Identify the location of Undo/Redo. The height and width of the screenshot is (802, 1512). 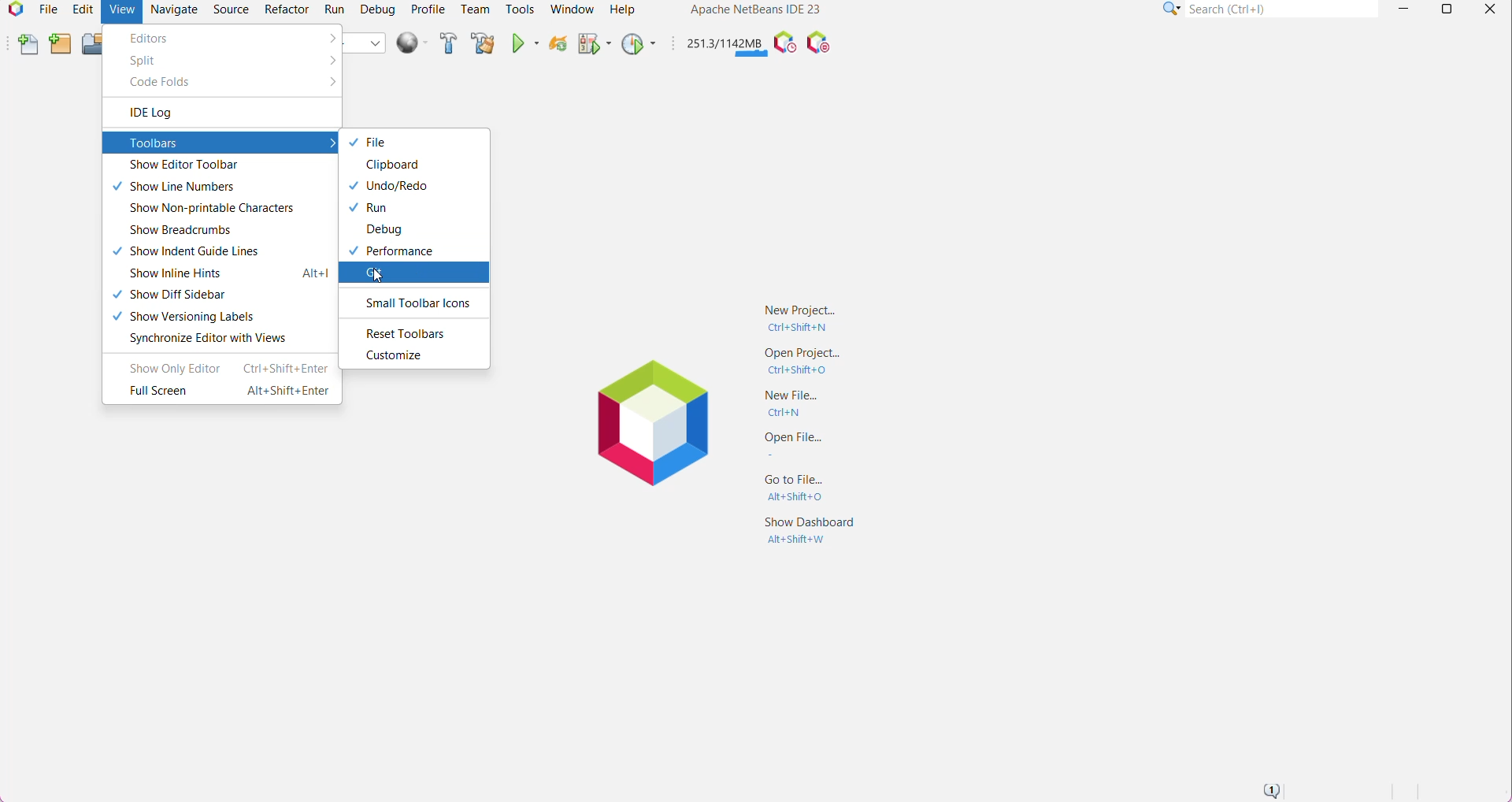
(392, 186).